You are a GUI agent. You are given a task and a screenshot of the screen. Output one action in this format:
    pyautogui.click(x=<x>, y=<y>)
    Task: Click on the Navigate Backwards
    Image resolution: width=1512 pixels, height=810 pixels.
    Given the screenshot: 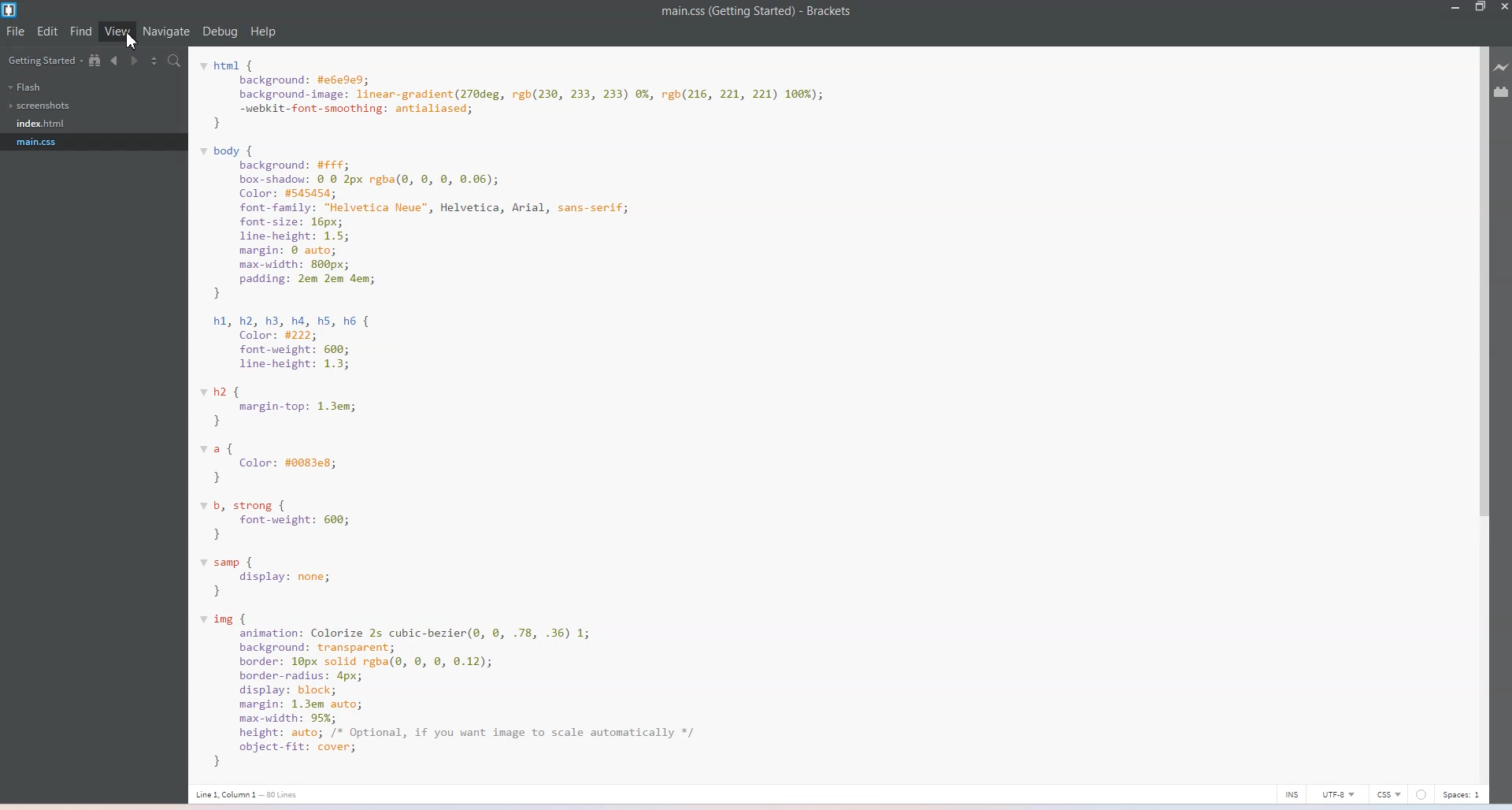 What is the action you would take?
    pyautogui.click(x=117, y=61)
    